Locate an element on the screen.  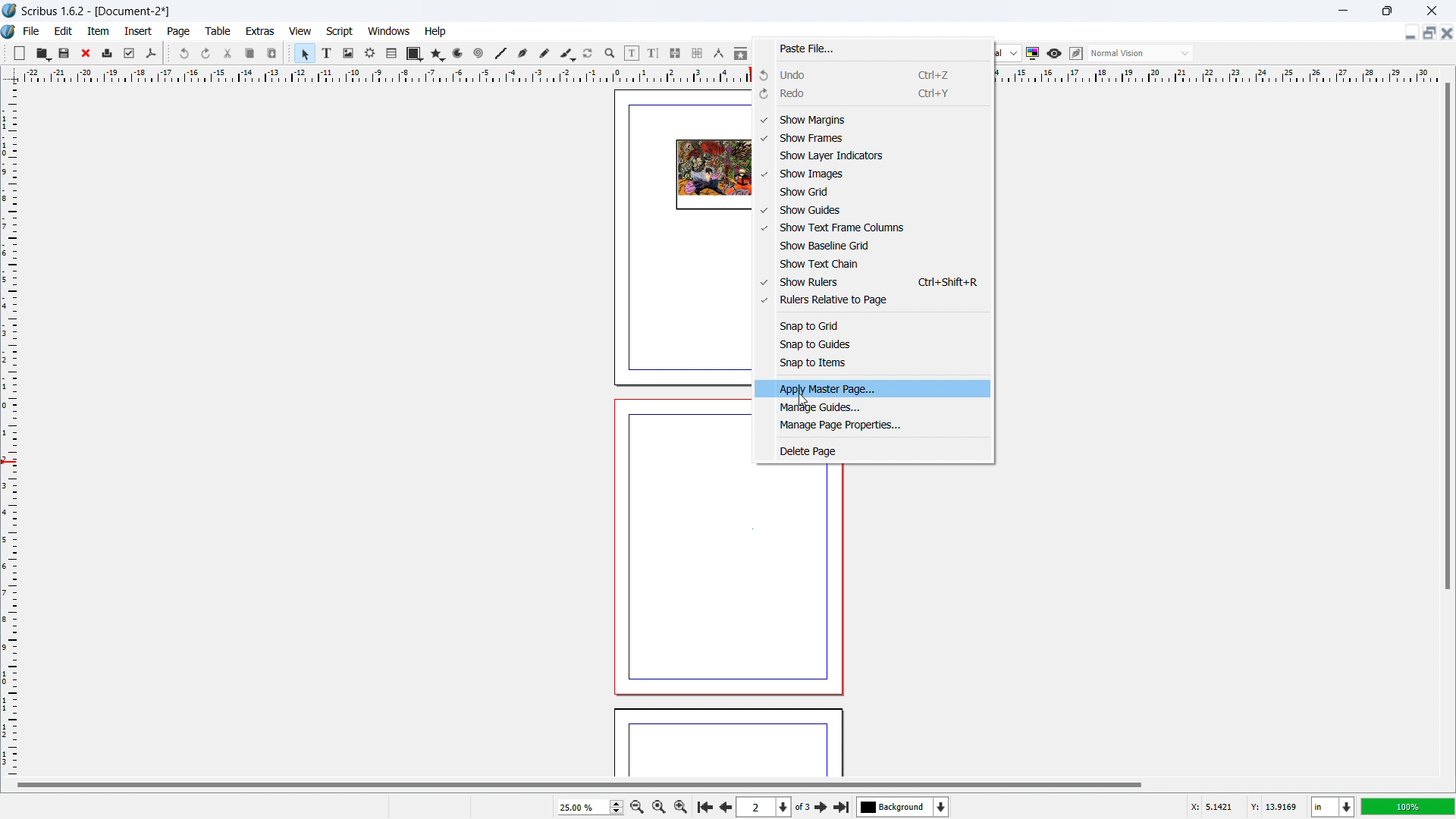
next page is located at coordinates (723, 805).